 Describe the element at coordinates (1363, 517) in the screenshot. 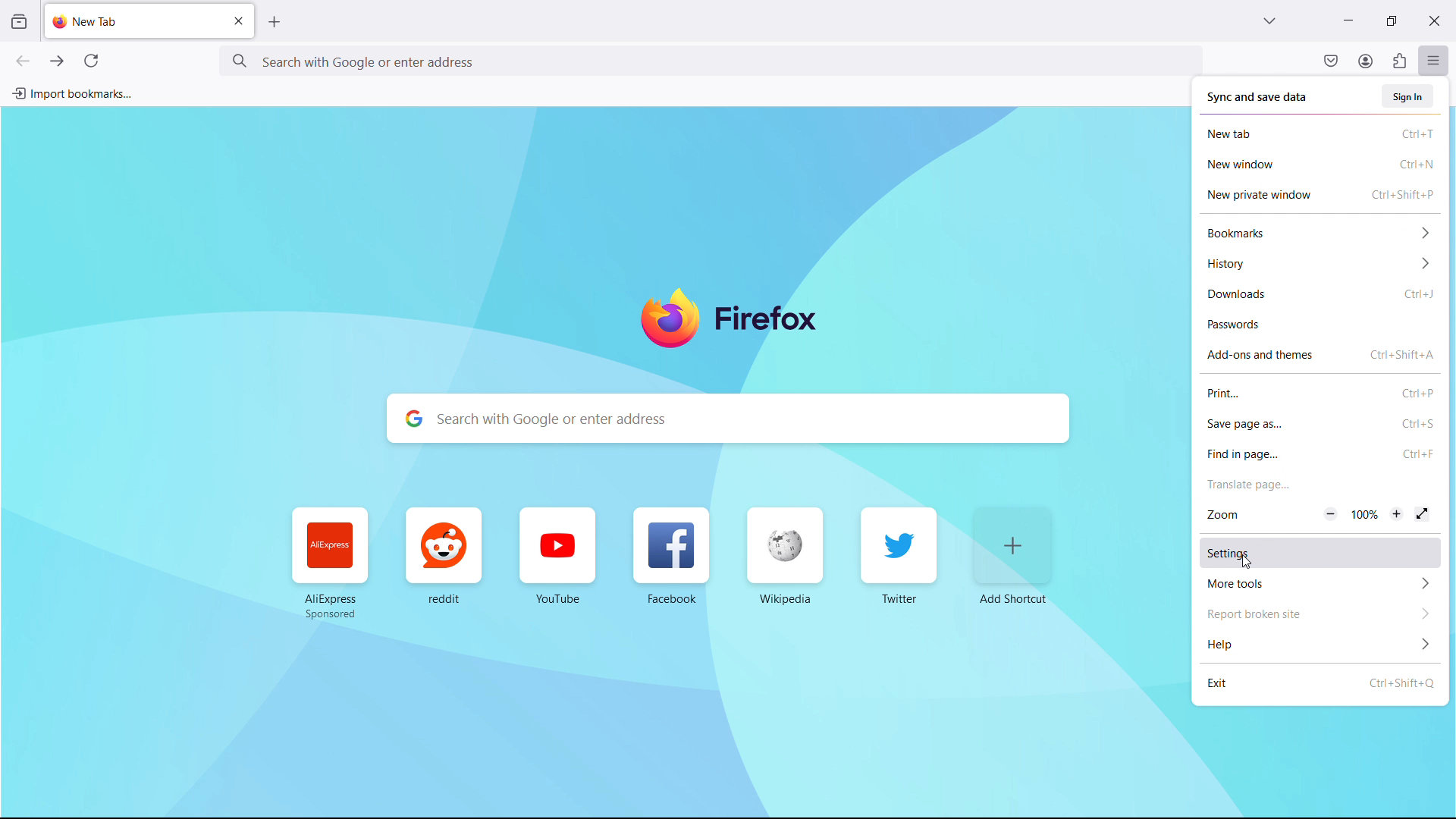

I see `100%` at that location.